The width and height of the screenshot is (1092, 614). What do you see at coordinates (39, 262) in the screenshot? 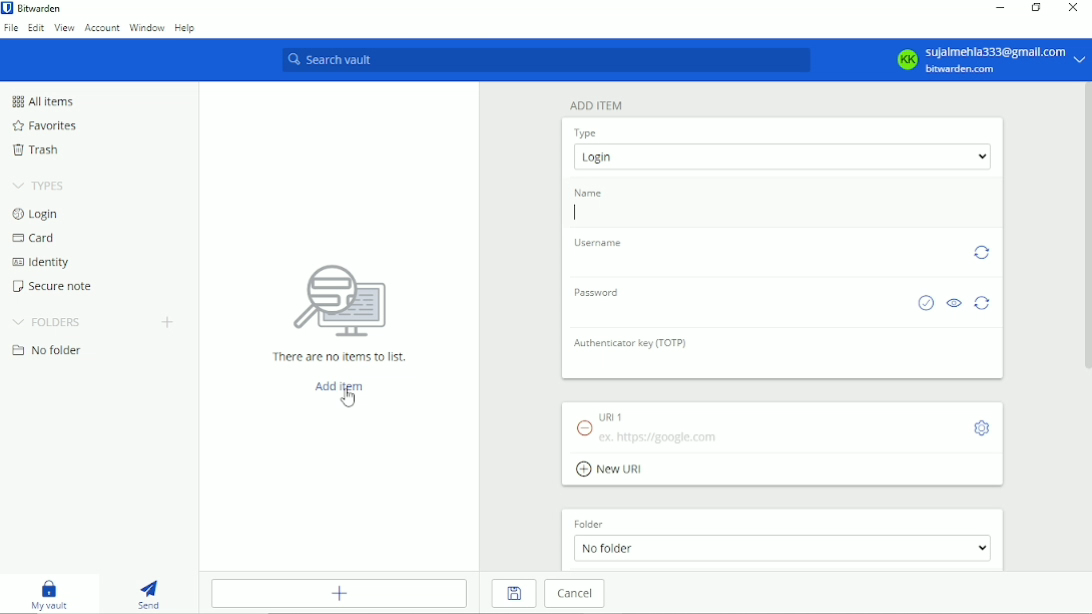
I see `Identity` at bounding box center [39, 262].